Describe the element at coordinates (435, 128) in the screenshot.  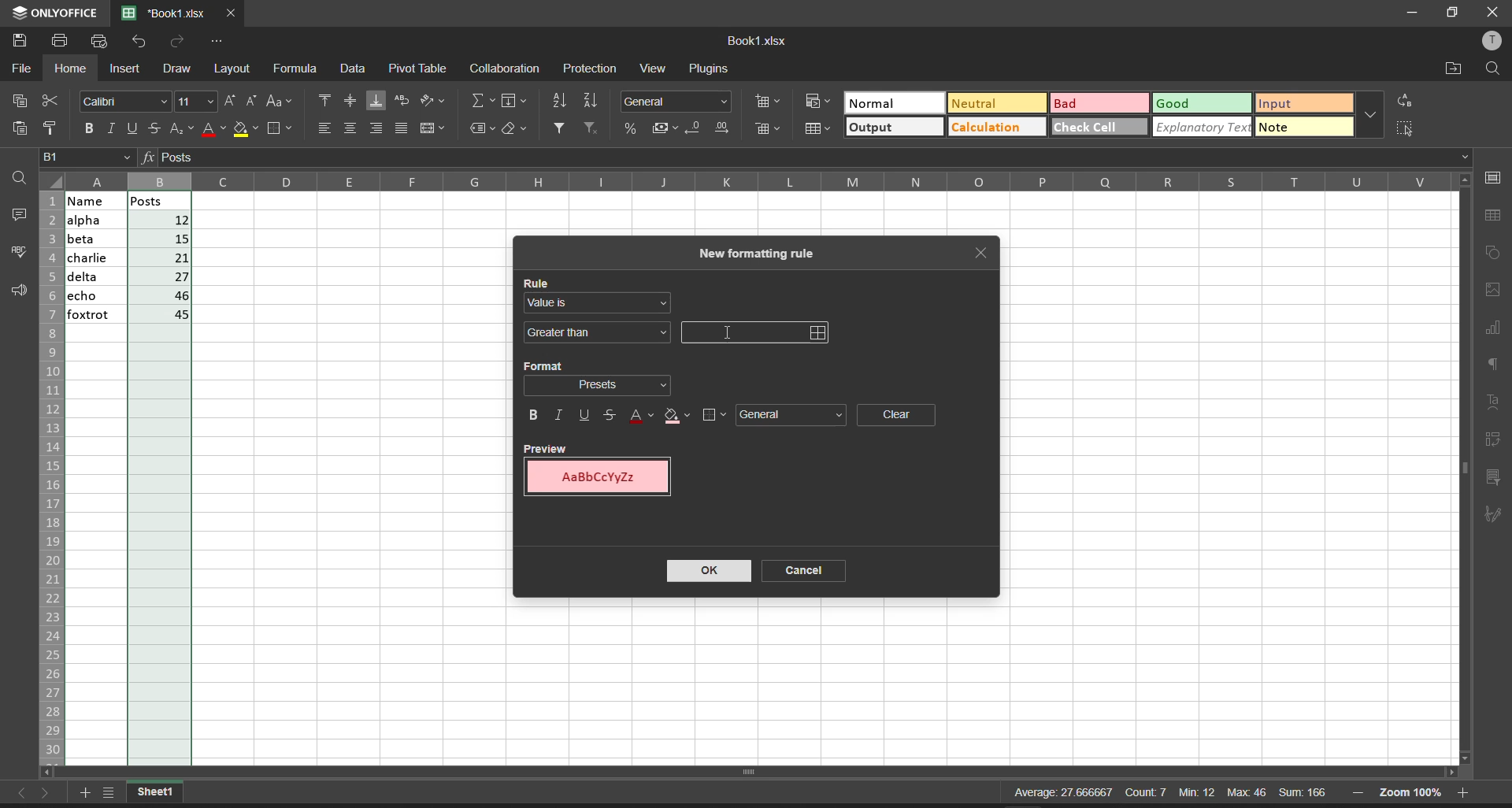
I see `merge and center` at that location.